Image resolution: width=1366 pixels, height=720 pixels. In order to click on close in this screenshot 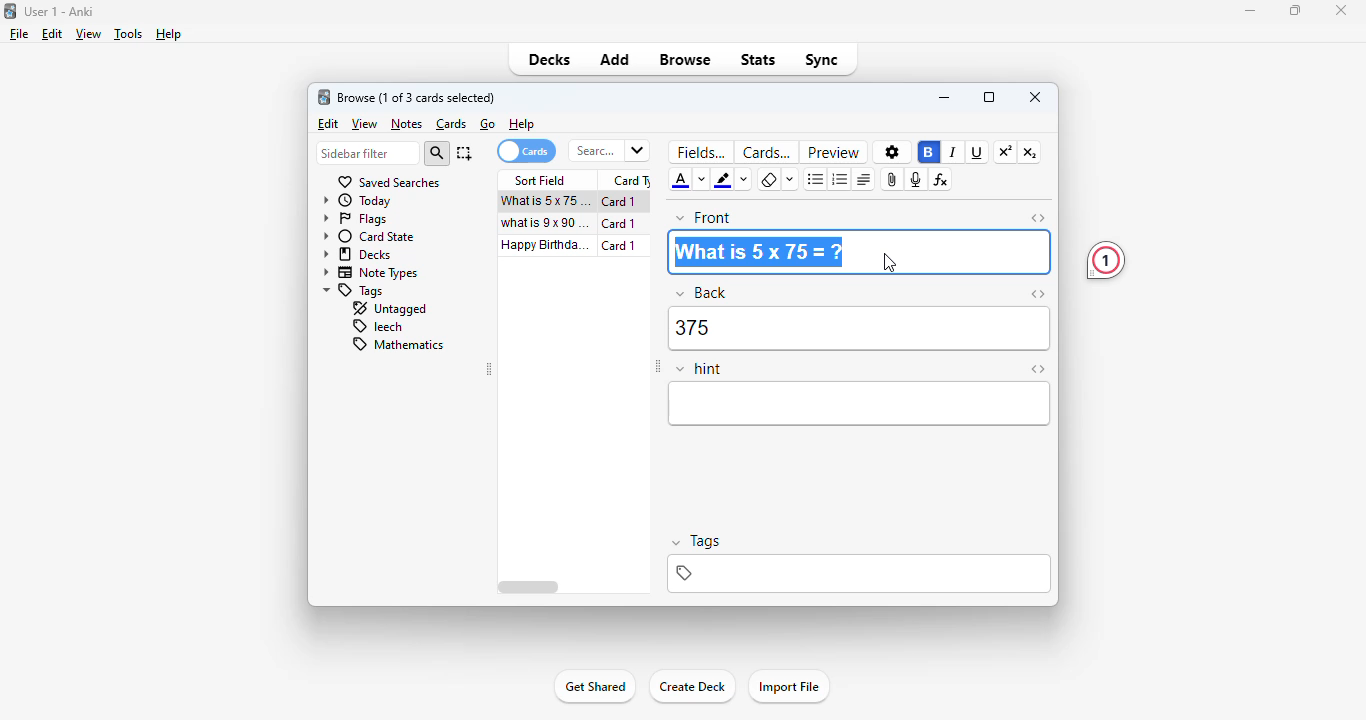, I will do `click(1035, 98)`.